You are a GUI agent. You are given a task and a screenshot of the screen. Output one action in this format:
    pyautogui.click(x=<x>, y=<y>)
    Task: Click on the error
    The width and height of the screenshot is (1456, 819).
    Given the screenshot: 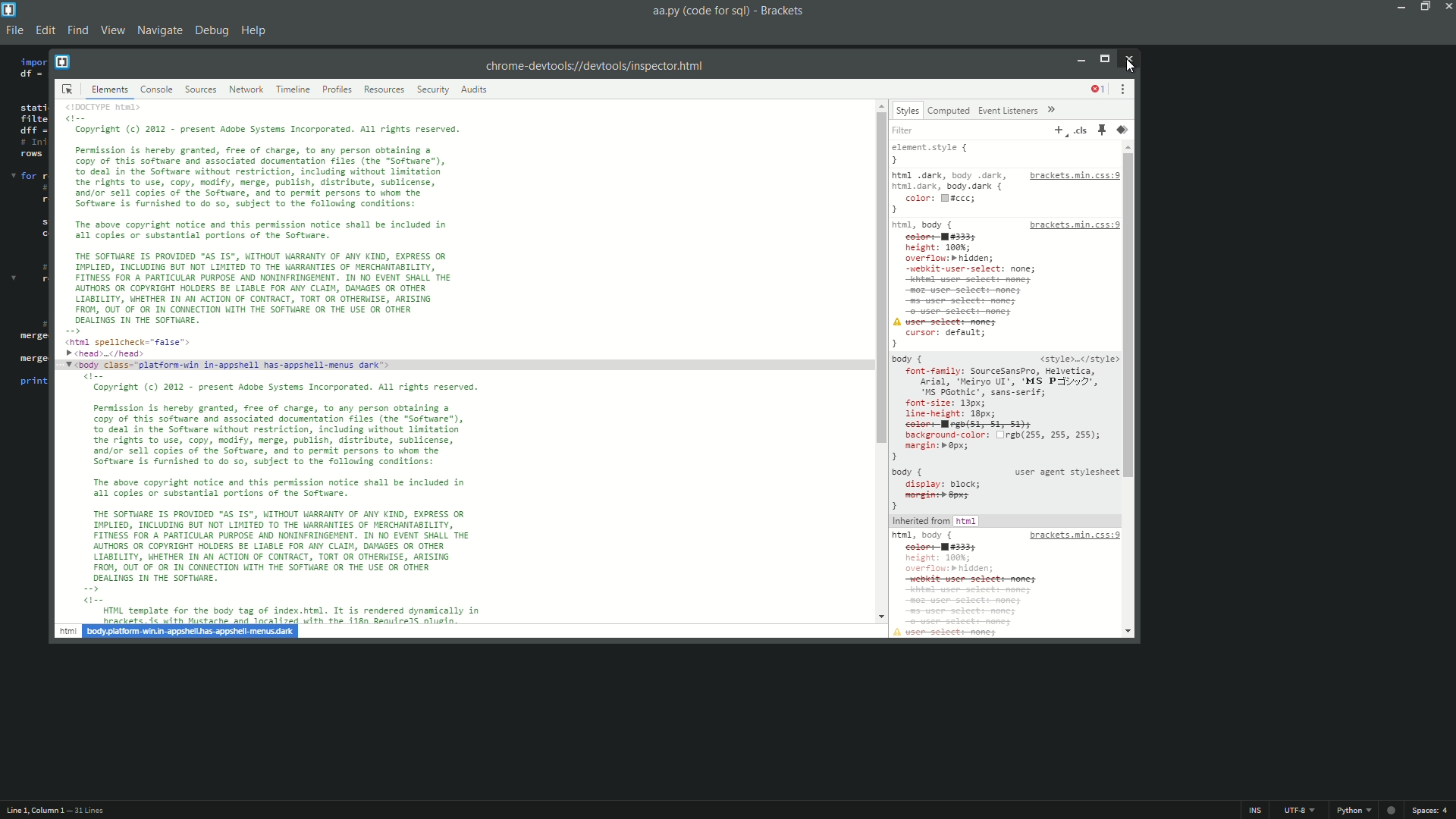 What is the action you would take?
    pyautogui.click(x=1098, y=89)
    